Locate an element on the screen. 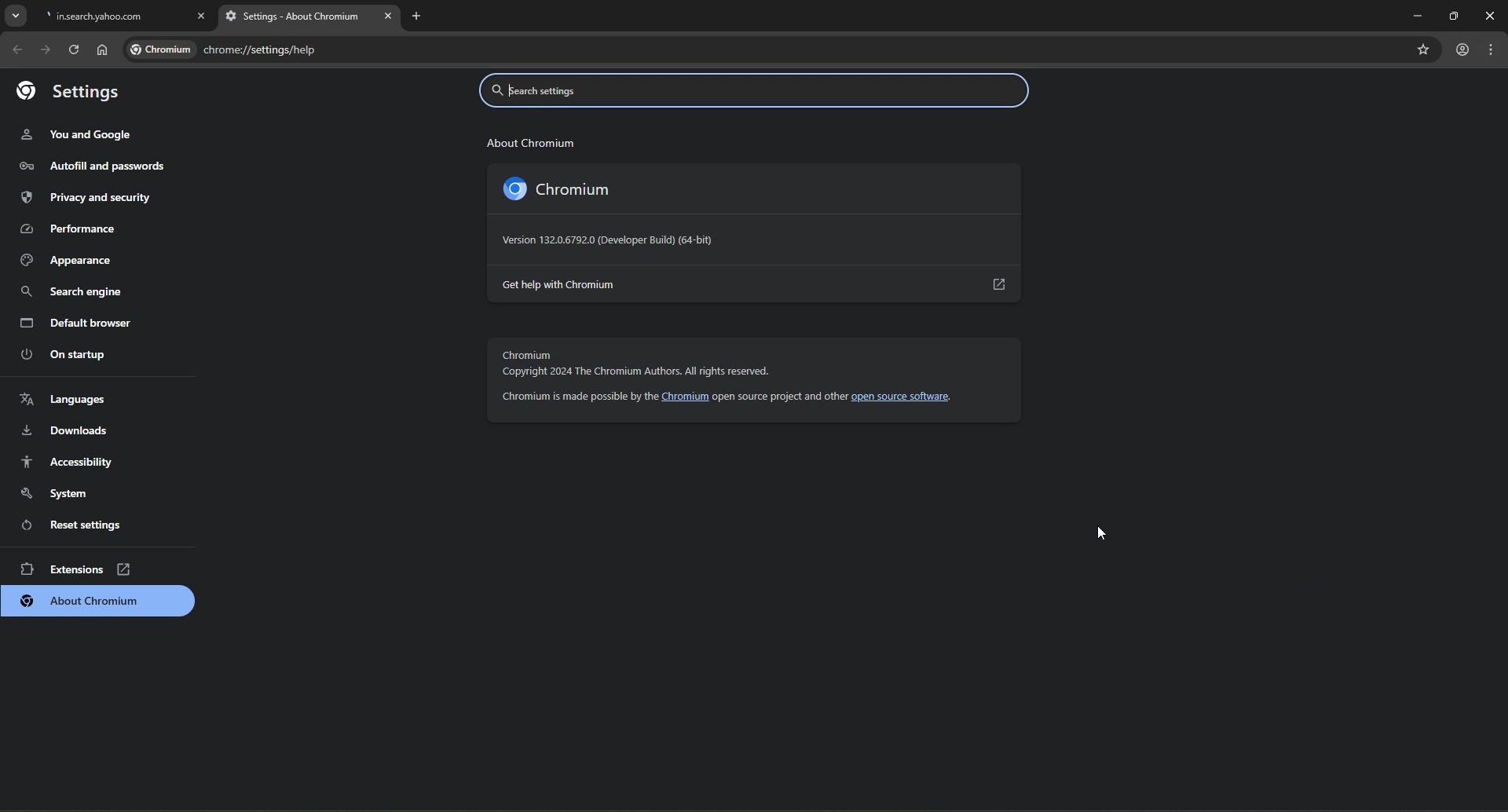  Chromium is made possible by the Chromium open sources project and other open source software is located at coordinates (733, 397).